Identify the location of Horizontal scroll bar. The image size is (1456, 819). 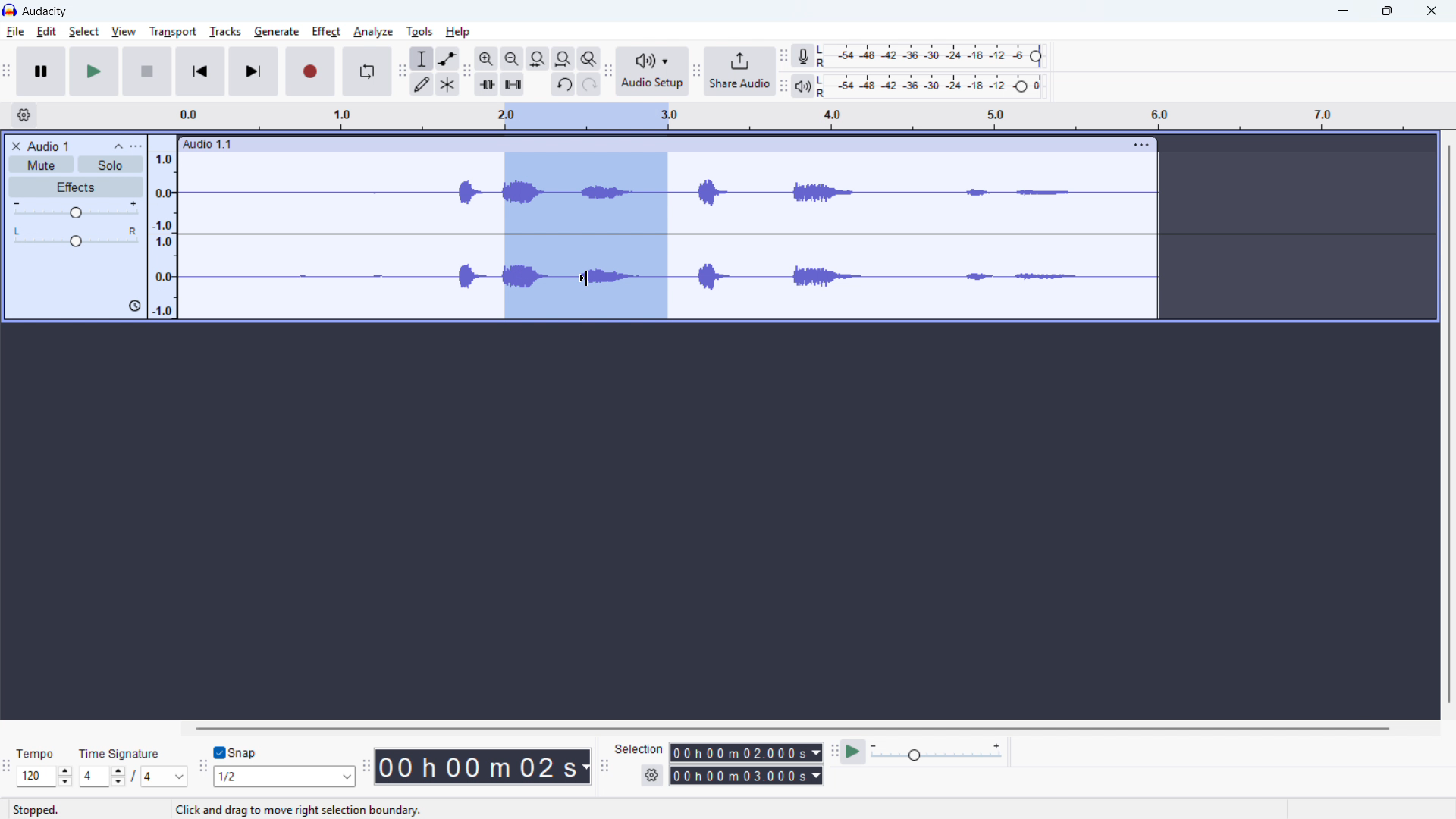
(763, 728).